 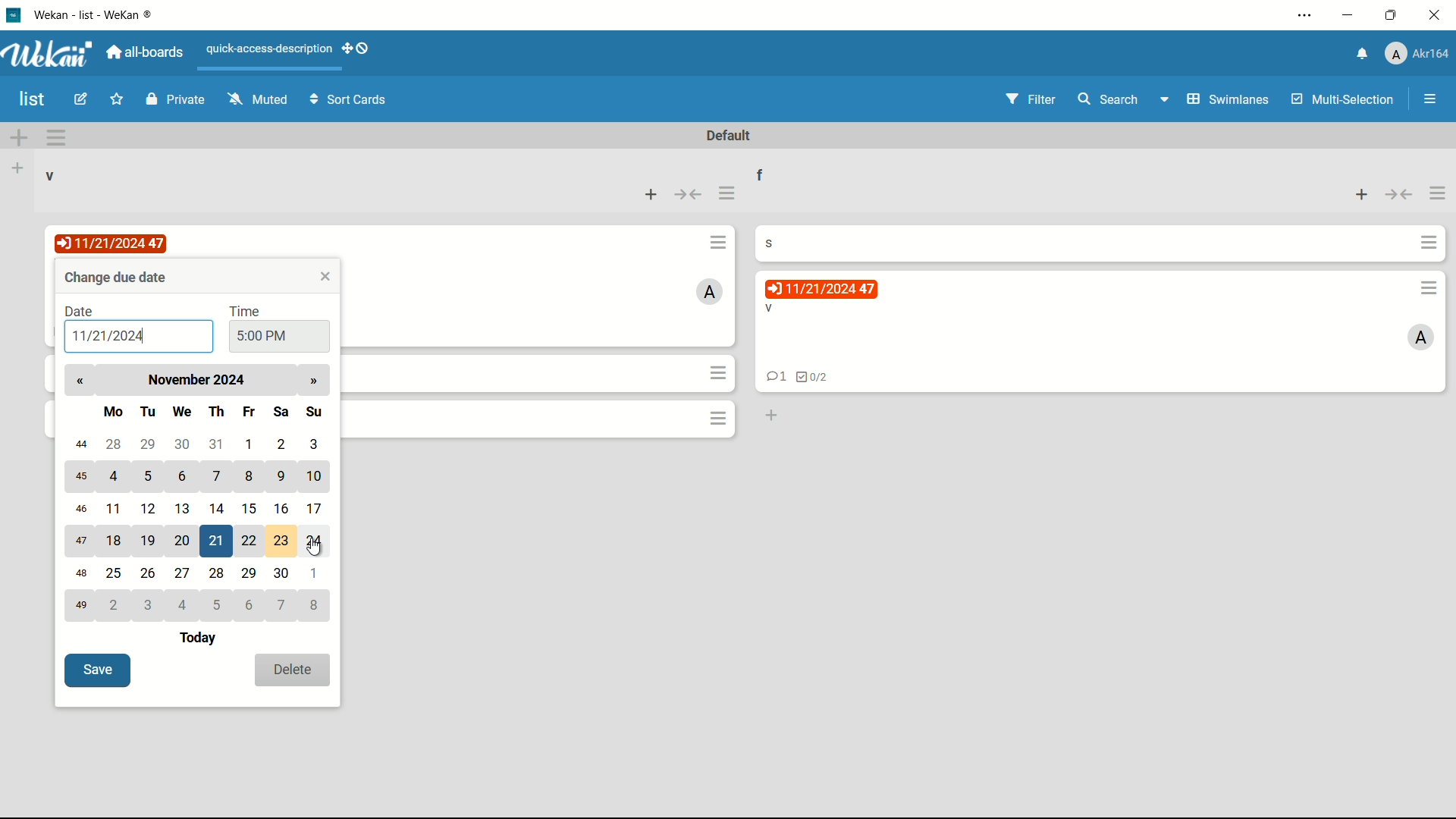 I want to click on 44, so click(x=78, y=446).